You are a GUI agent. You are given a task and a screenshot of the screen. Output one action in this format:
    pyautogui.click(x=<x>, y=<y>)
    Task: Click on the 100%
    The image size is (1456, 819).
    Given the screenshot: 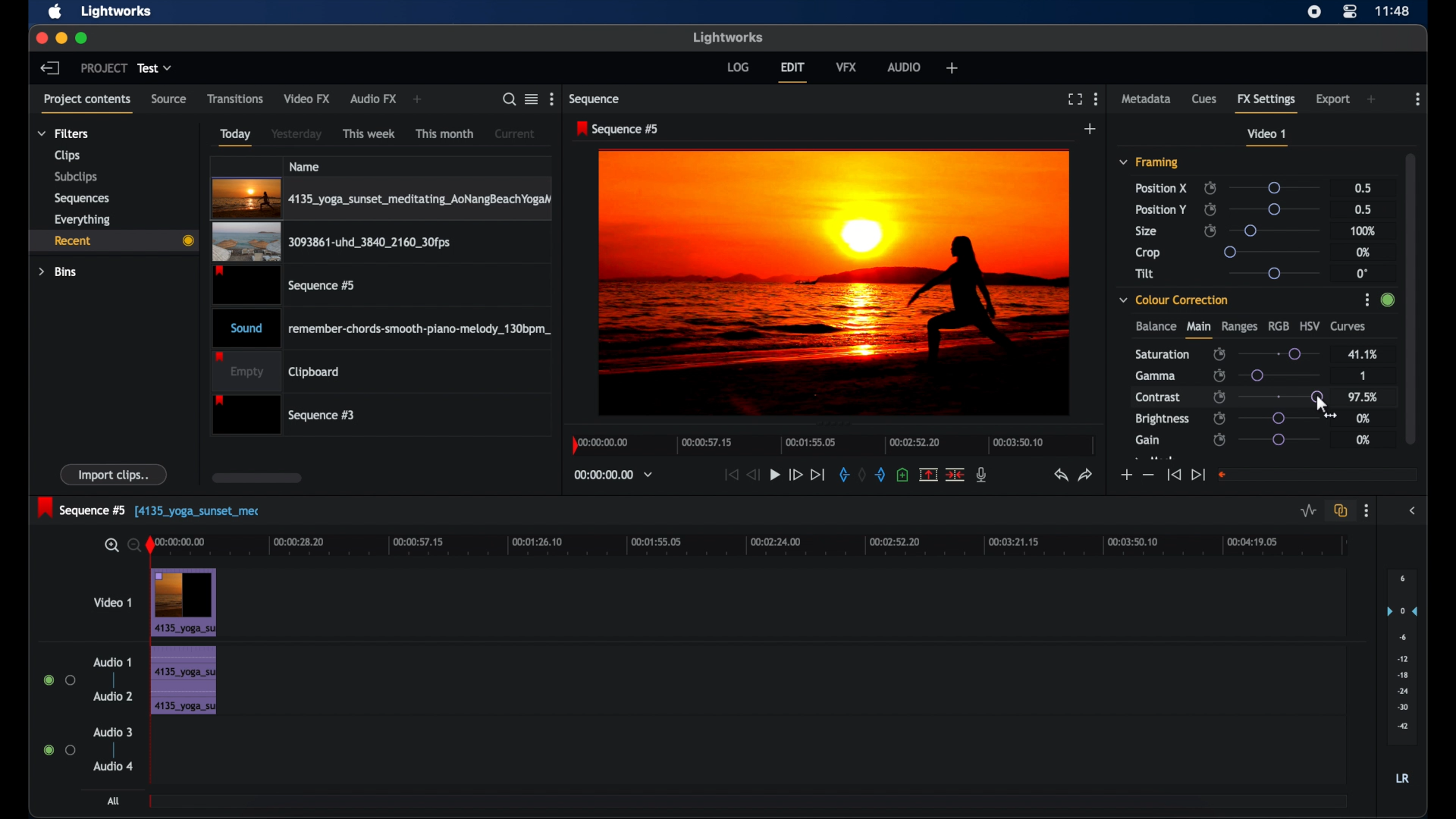 What is the action you would take?
    pyautogui.click(x=1363, y=231)
    